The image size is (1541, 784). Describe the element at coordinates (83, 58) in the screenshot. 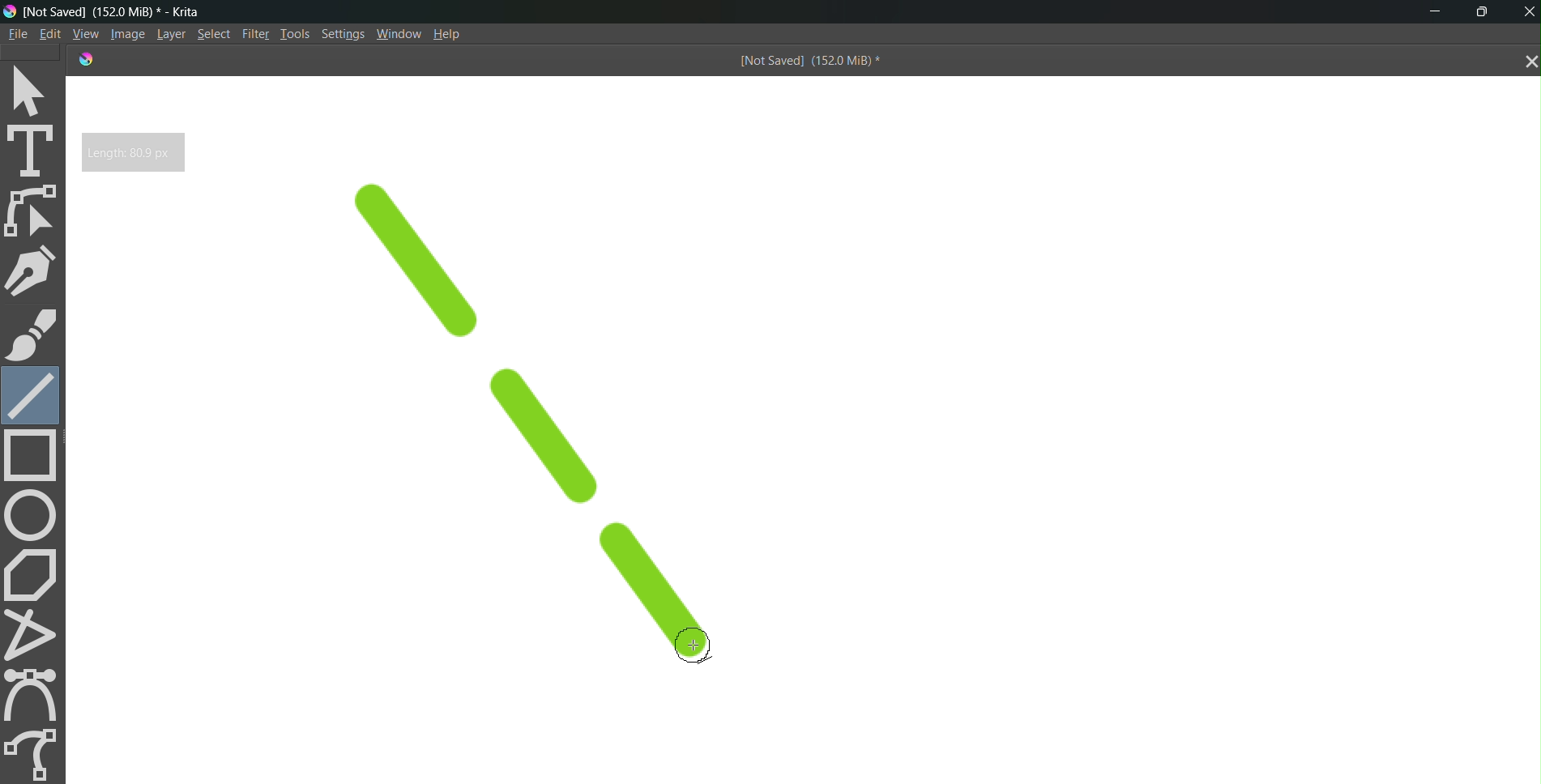

I see `logo` at that location.